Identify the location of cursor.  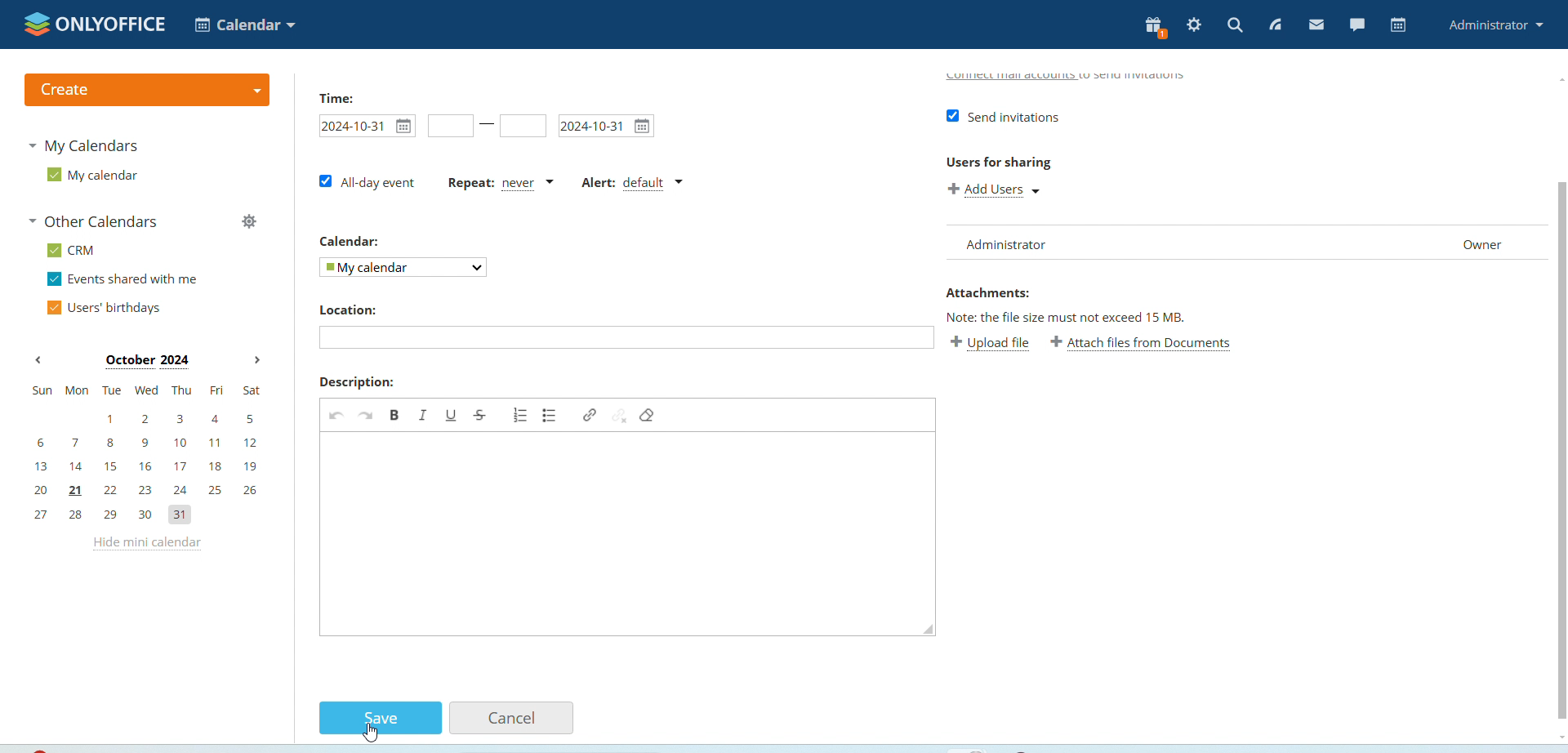
(372, 733).